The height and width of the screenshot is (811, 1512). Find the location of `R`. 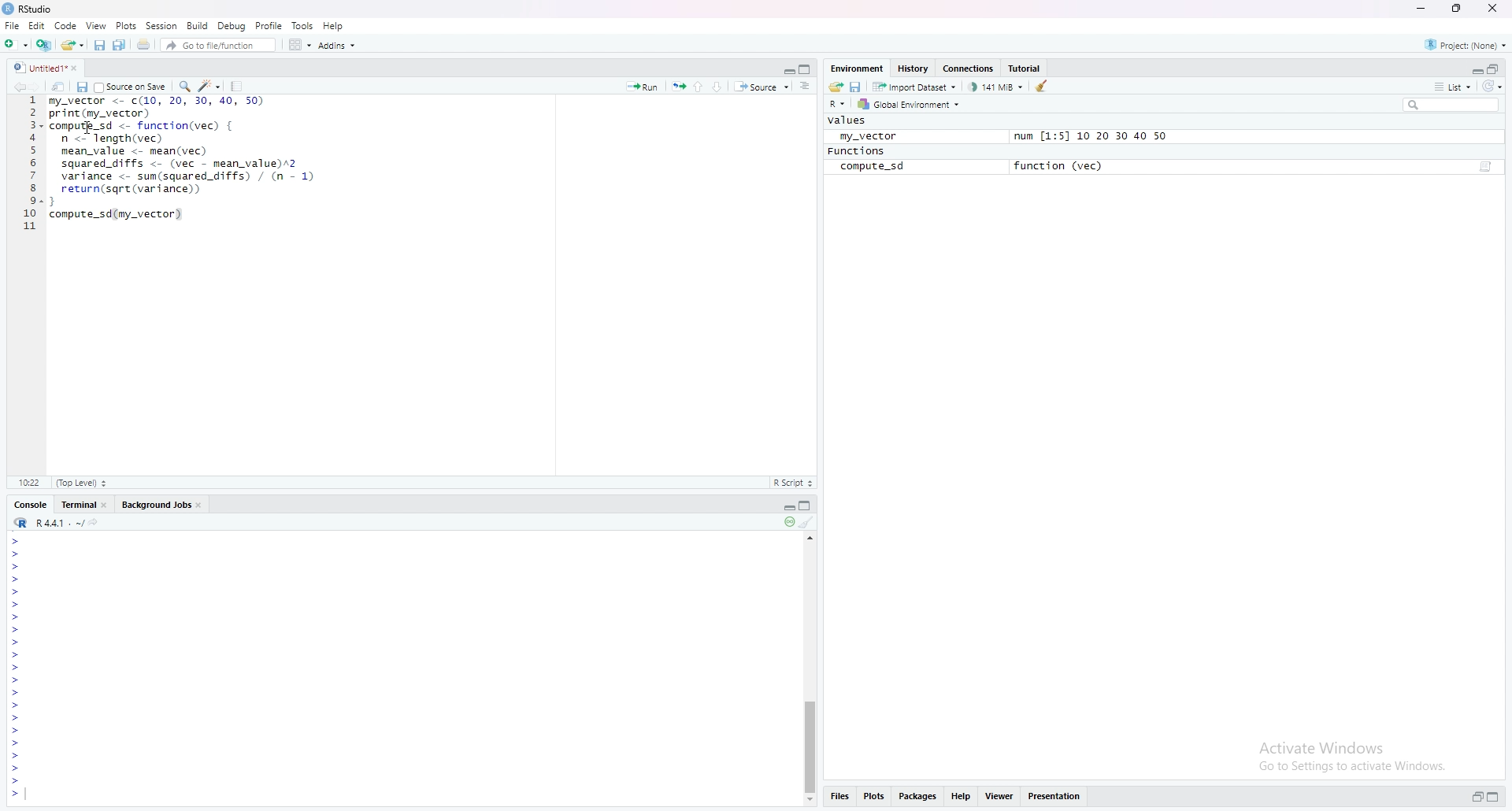

R is located at coordinates (838, 105).